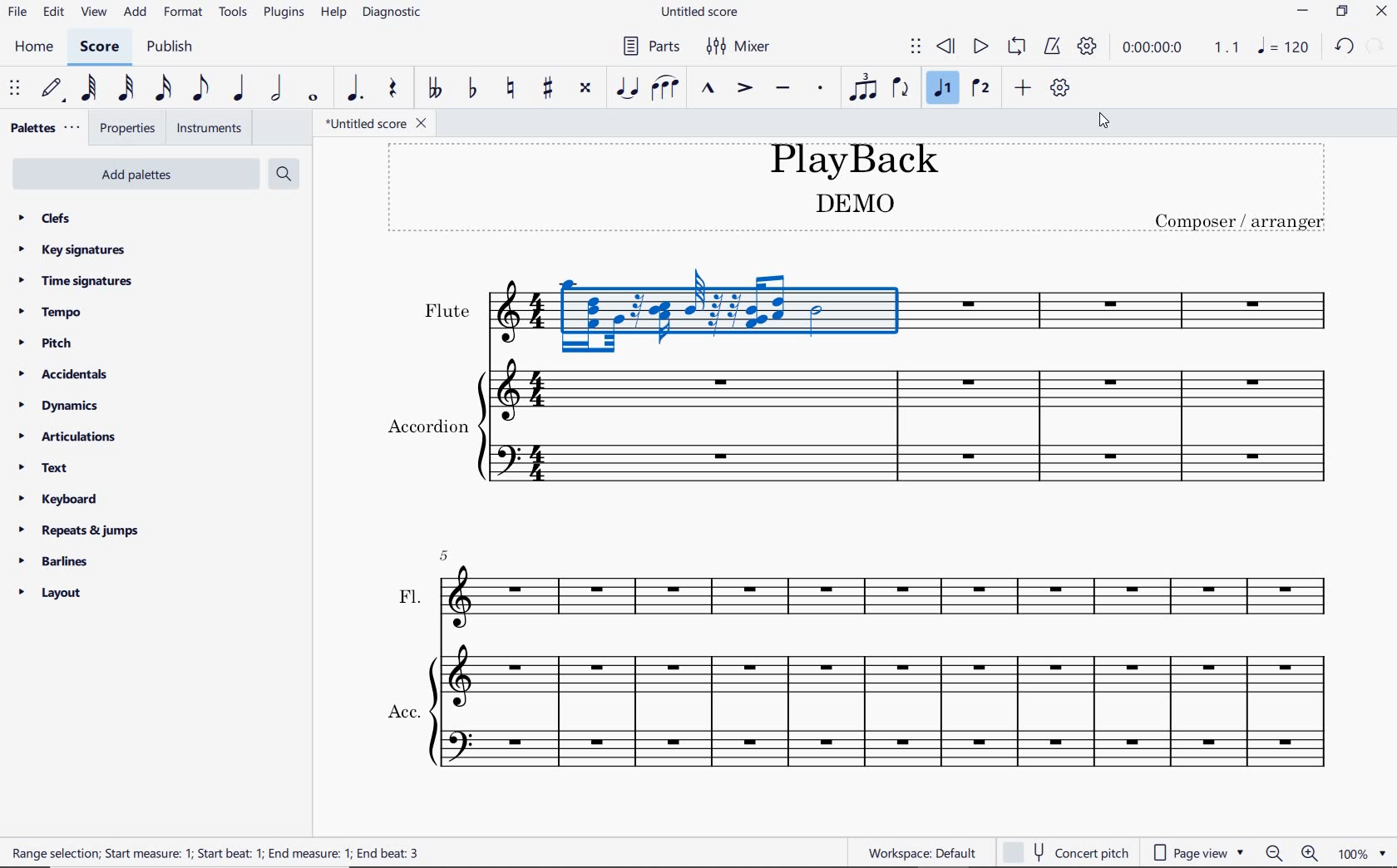 The width and height of the screenshot is (1397, 868). Describe the element at coordinates (509, 87) in the screenshot. I see `toggle natural` at that location.